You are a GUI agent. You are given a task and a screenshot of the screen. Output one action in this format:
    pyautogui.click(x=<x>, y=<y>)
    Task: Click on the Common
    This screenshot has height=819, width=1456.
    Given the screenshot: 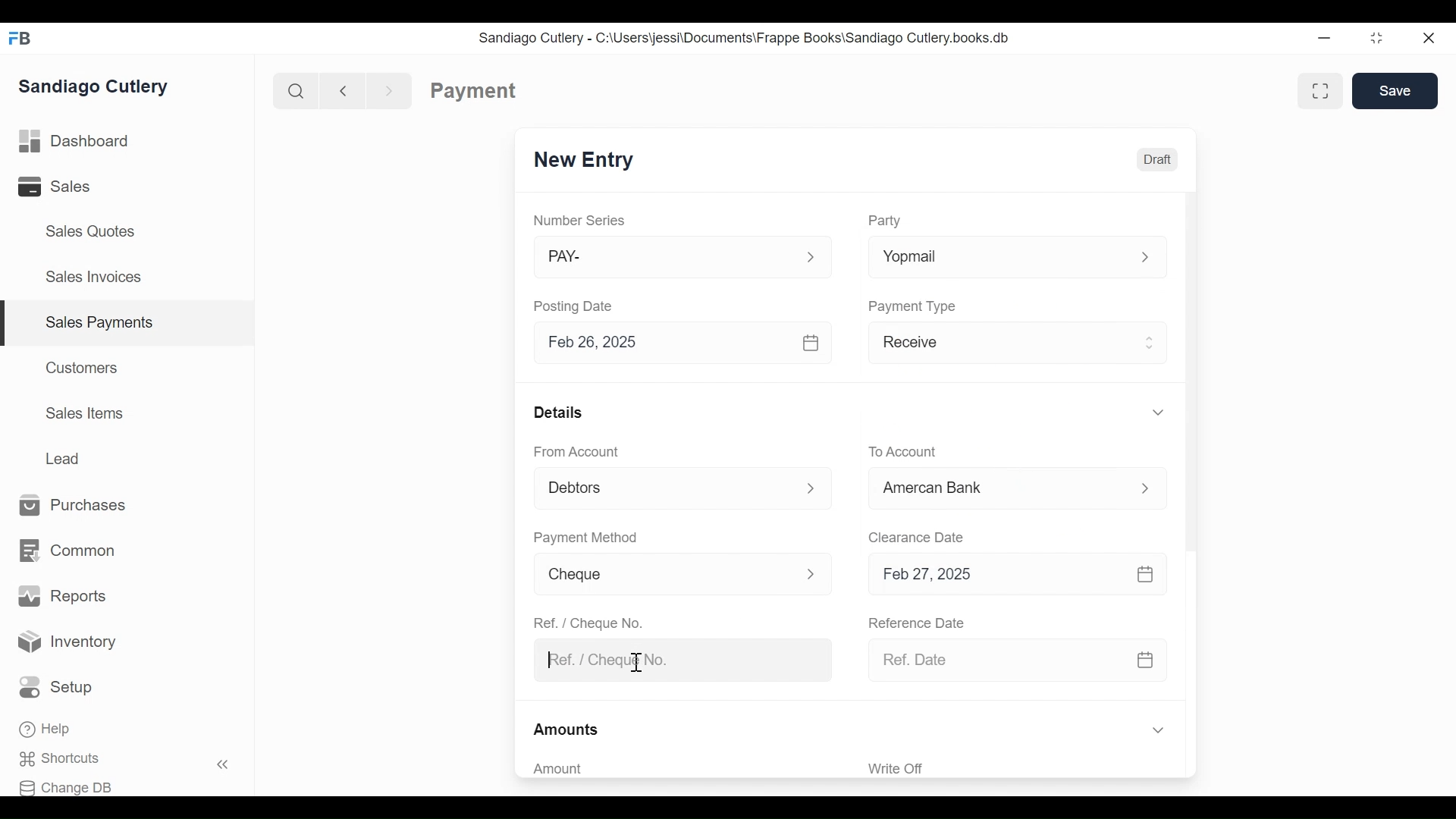 What is the action you would take?
    pyautogui.click(x=66, y=551)
    